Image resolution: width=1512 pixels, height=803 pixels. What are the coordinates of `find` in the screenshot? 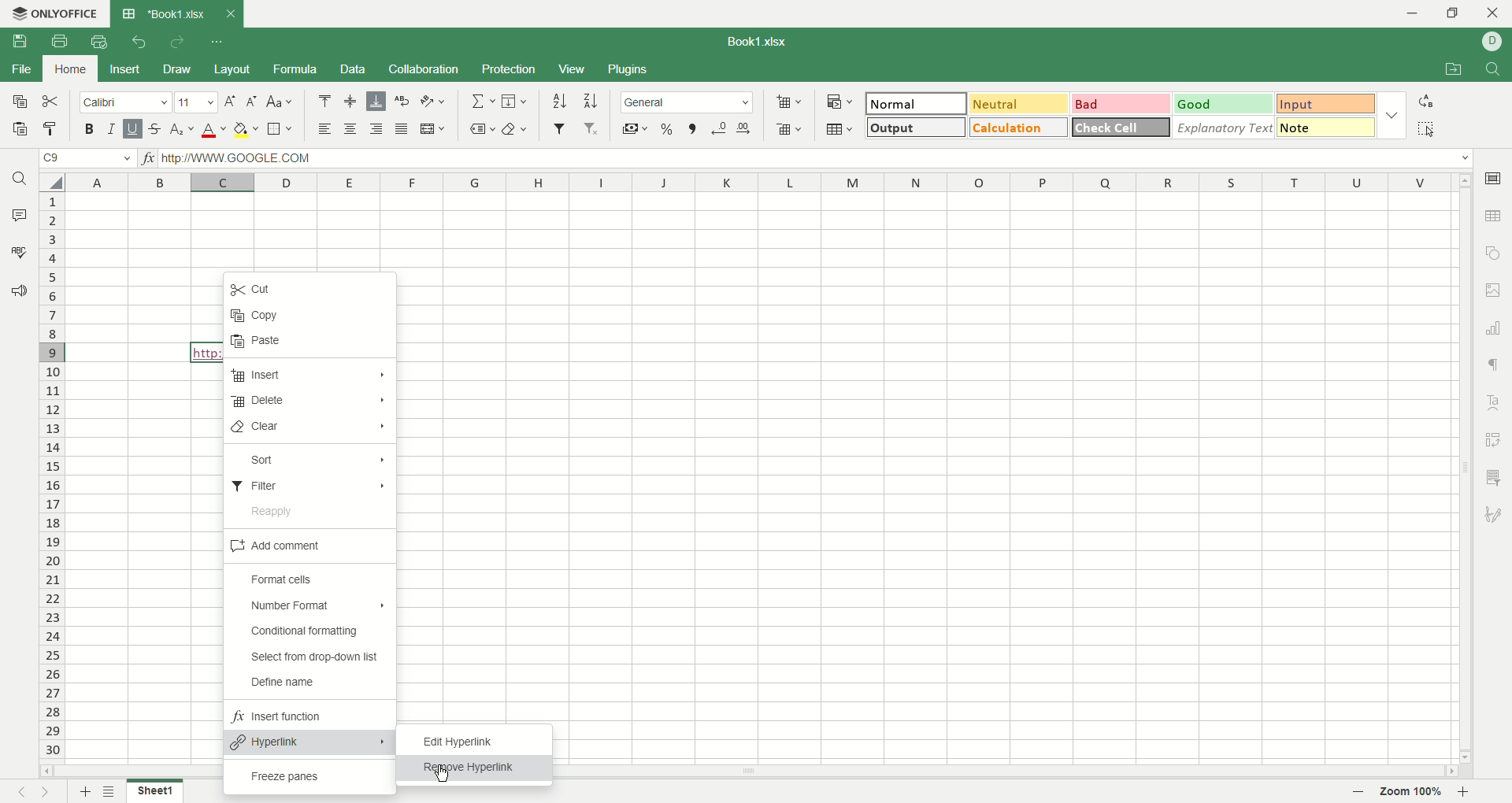 It's located at (19, 177).